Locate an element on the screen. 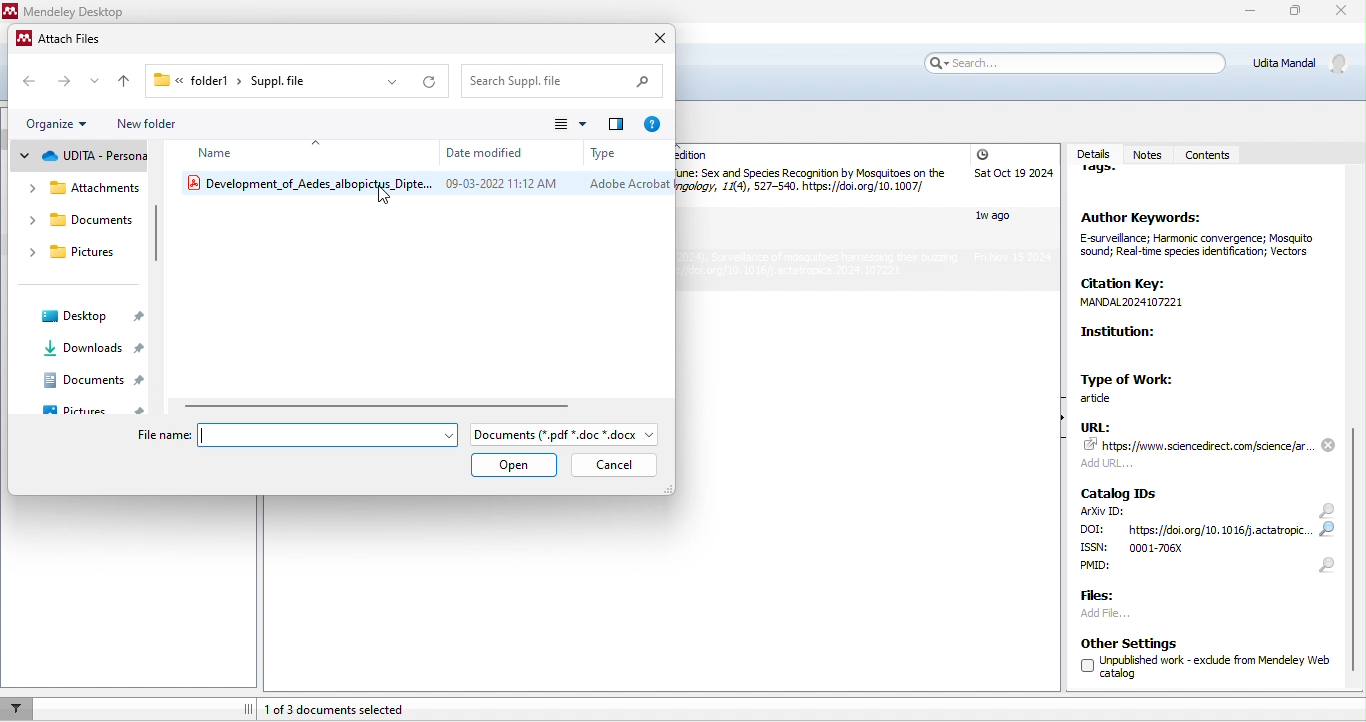 This screenshot has width=1366, height=722. pictures is located at coordinates (91, 405).